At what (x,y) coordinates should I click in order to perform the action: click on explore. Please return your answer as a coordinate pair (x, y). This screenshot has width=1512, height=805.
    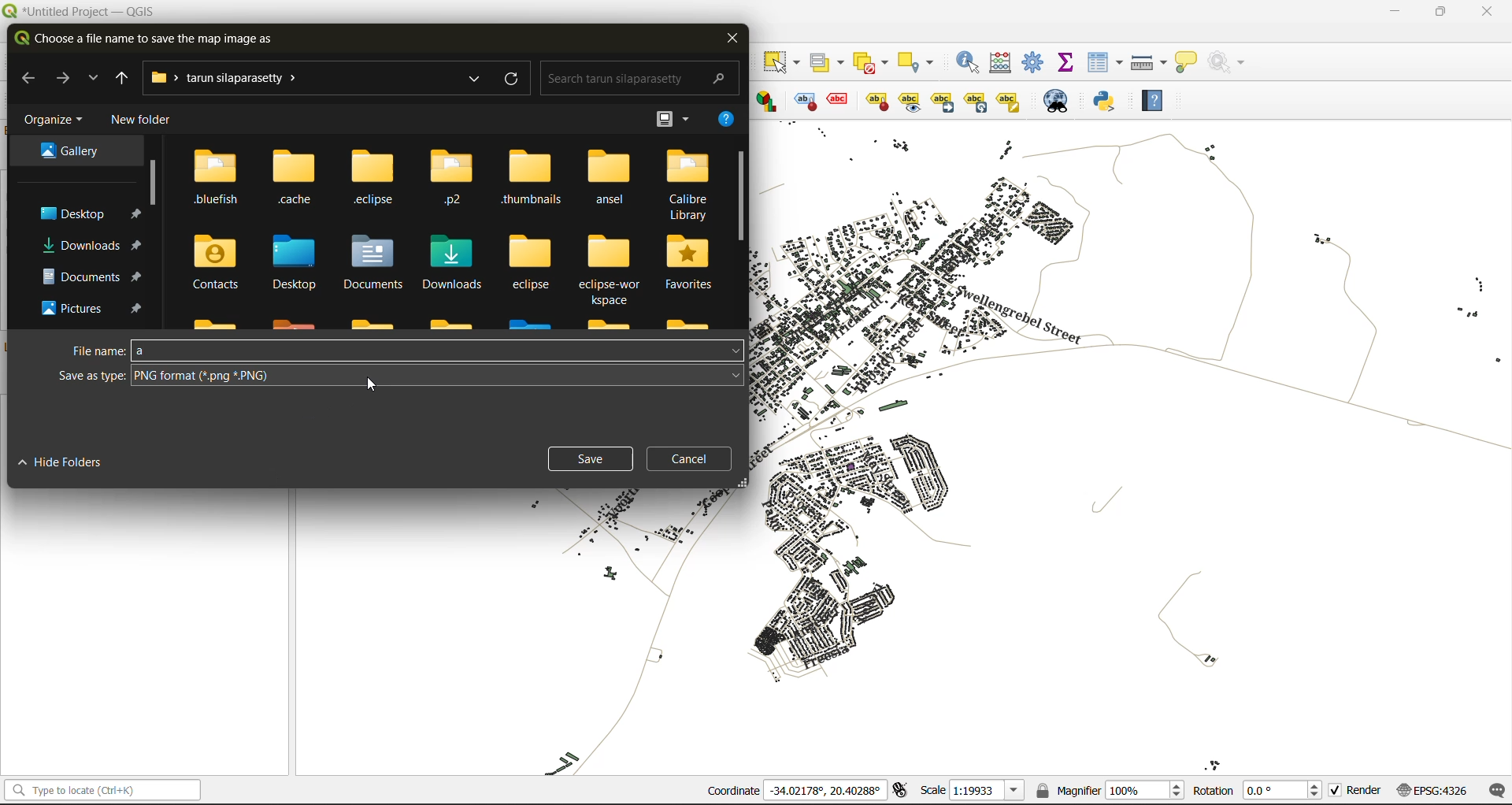
    Looking at the image, I should click on (94, 80).